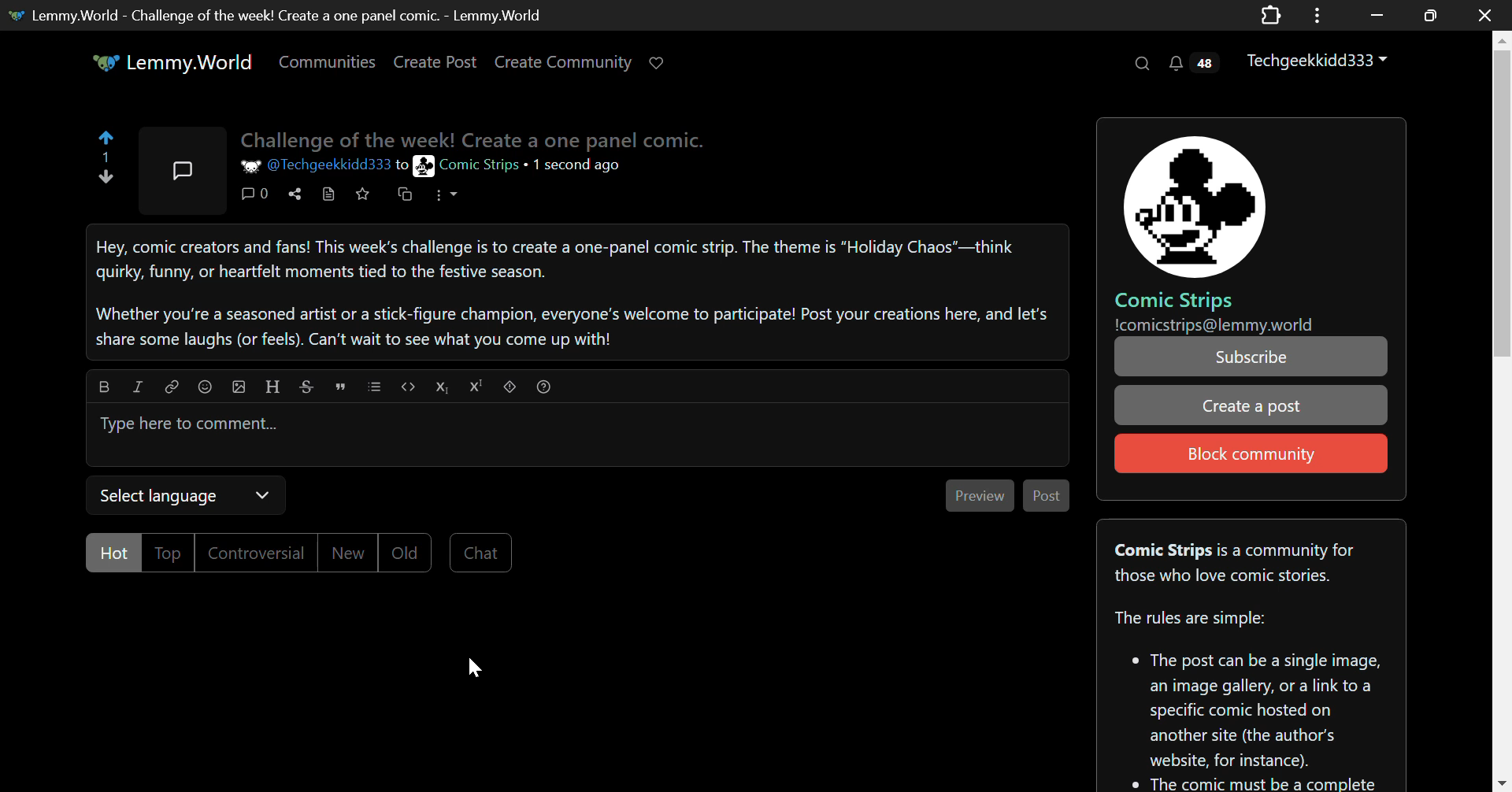  I want to click on Search , so click(1141, 63).